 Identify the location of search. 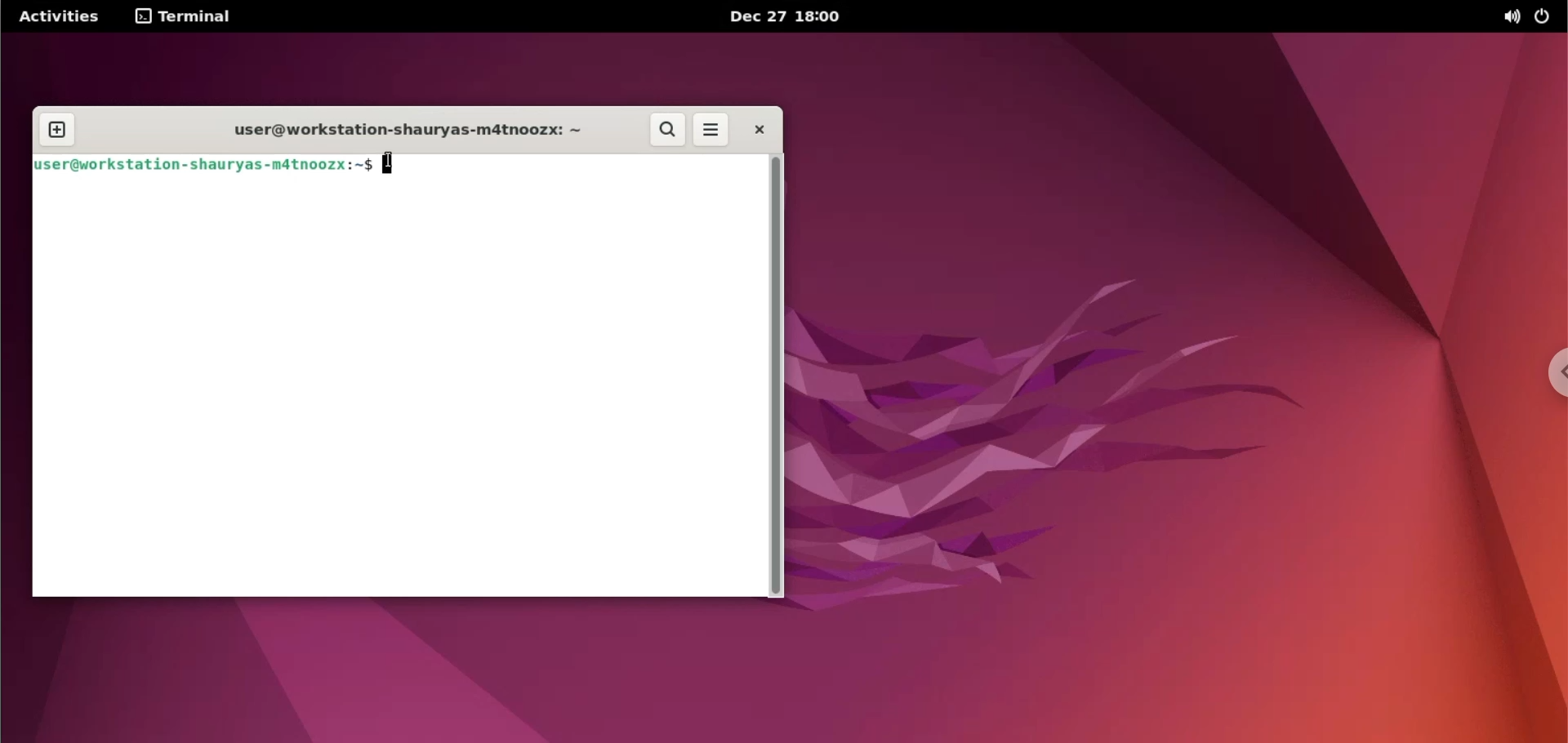
(668, 130).